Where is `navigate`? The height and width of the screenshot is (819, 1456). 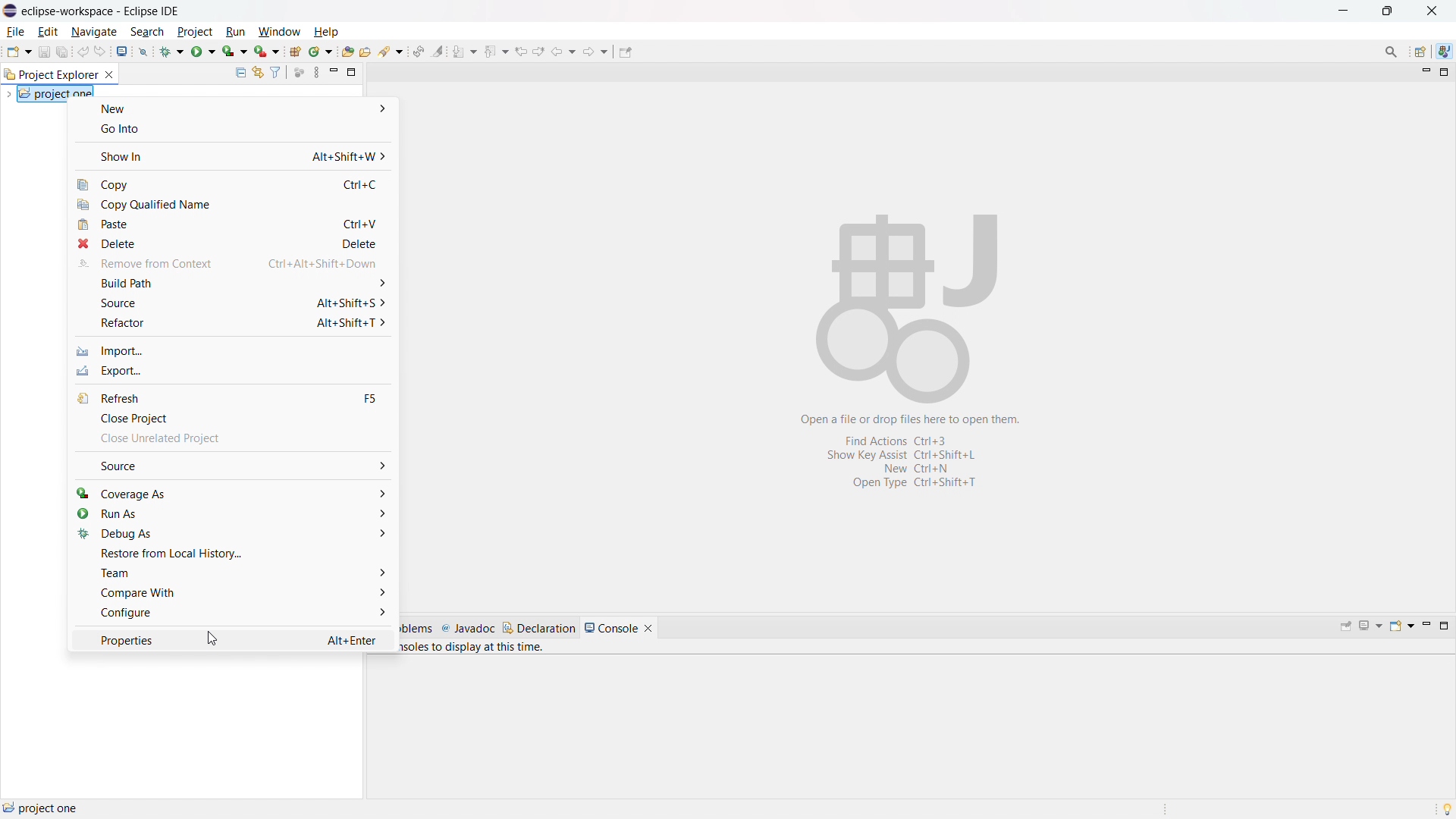
navigate is located at coordinates (93, 31).